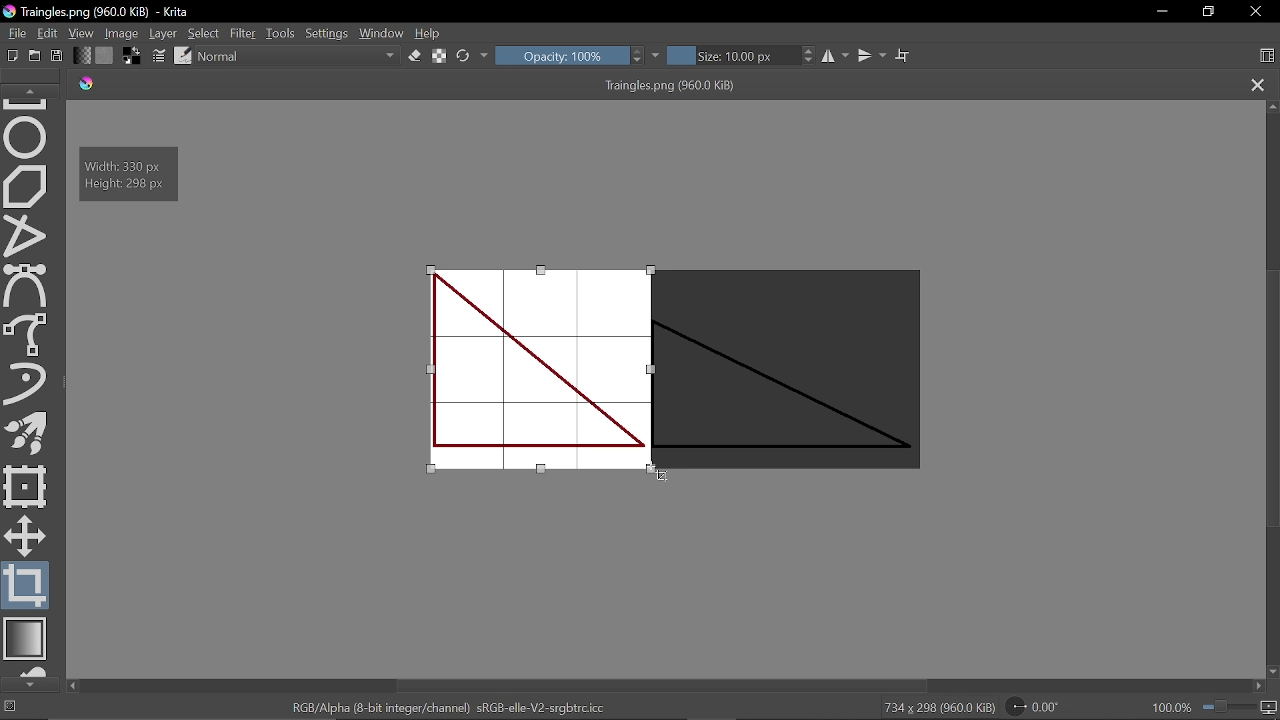  What do you see at coordinates (30, 436) in the screenshot?
I see `Multibrush tool` at bounding box center [30, 436].